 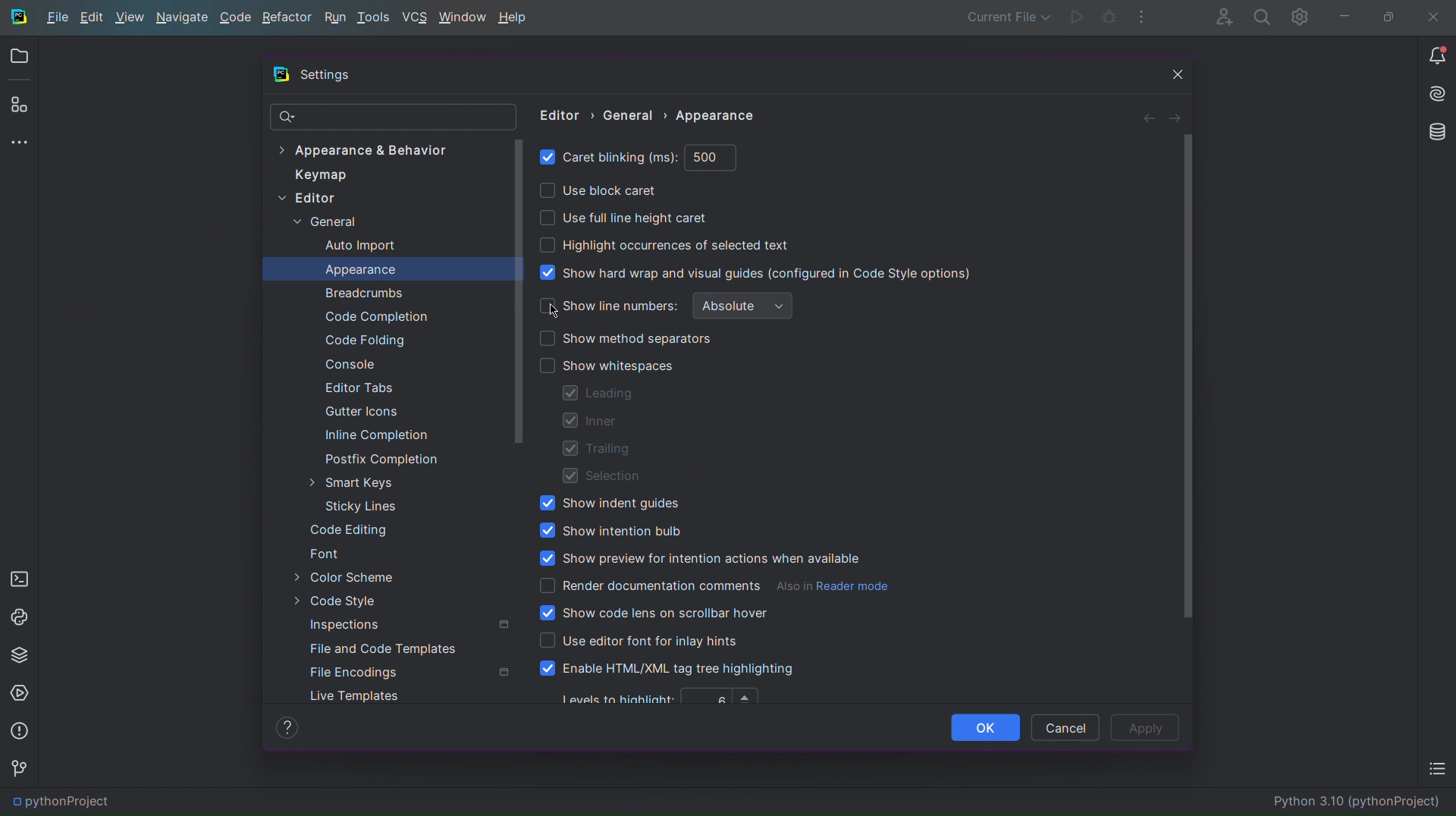 What do you see at coordinates (1343, 16) in the screenshot?
I see `Minimize` at bounding box center [1343, 16].